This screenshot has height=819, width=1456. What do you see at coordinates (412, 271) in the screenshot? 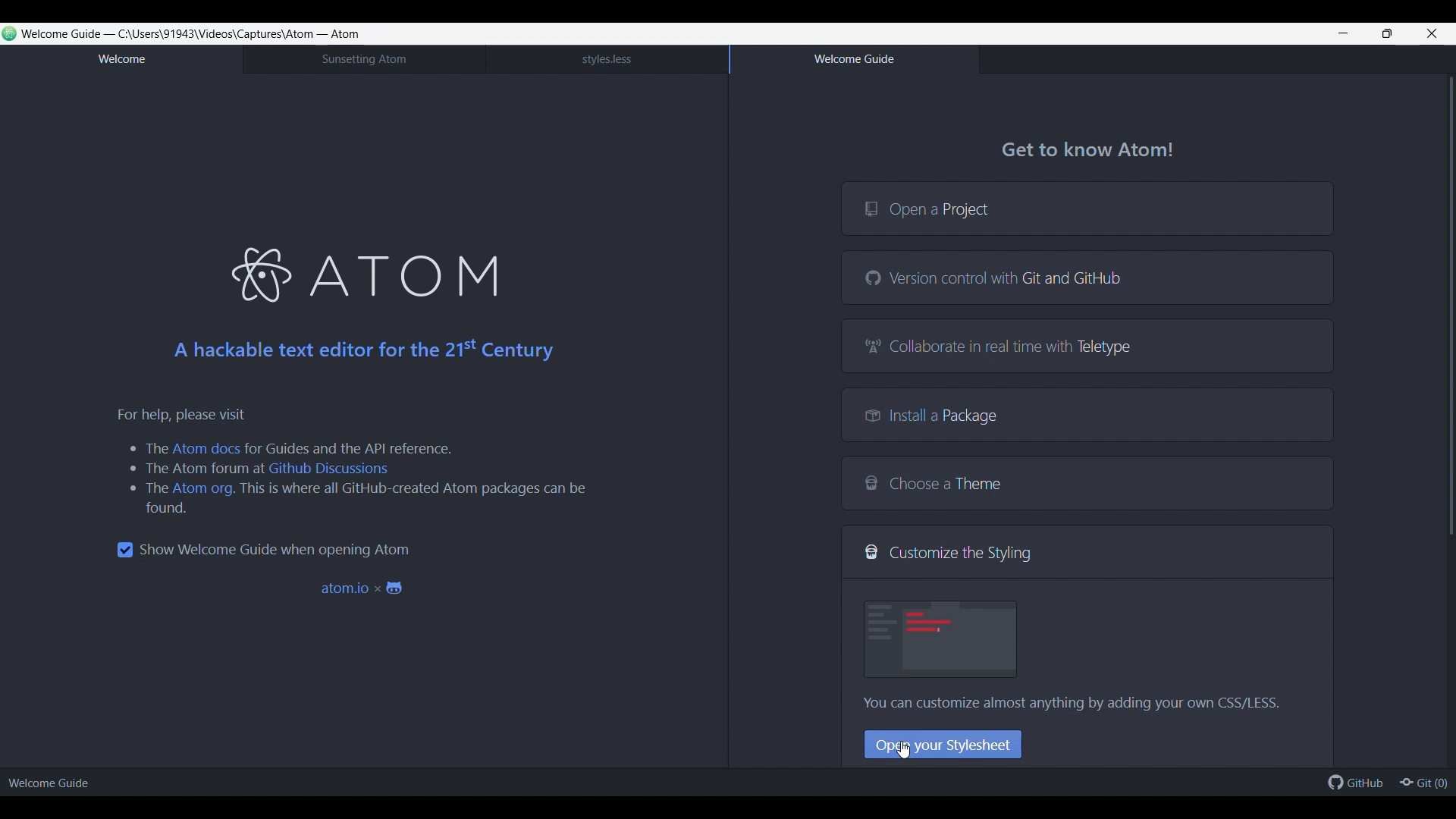
I see `ATOM` at bounding box center [412, 271].